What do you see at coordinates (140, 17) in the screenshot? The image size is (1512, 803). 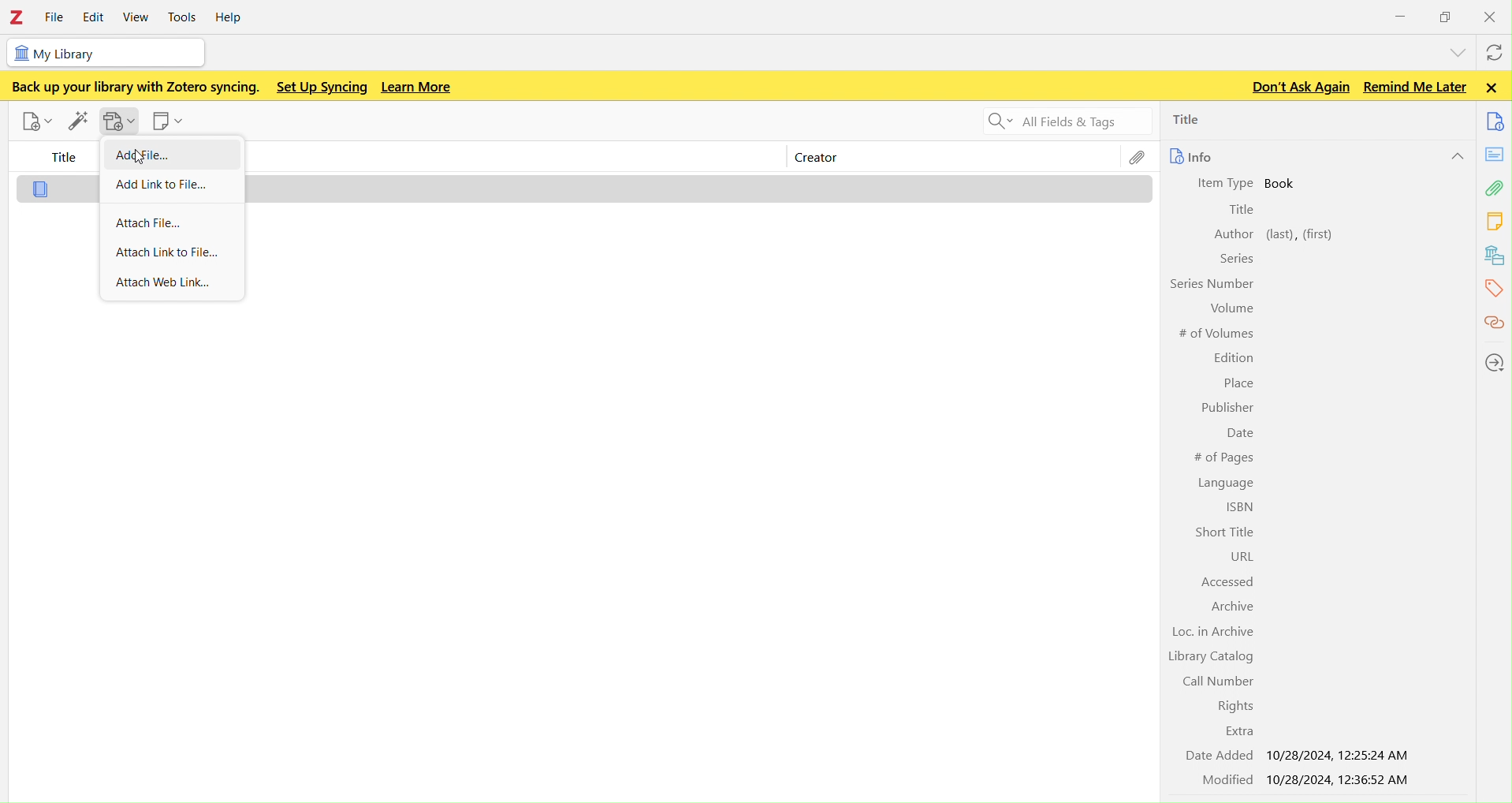 I see `view` at bounding box center [140, 17].